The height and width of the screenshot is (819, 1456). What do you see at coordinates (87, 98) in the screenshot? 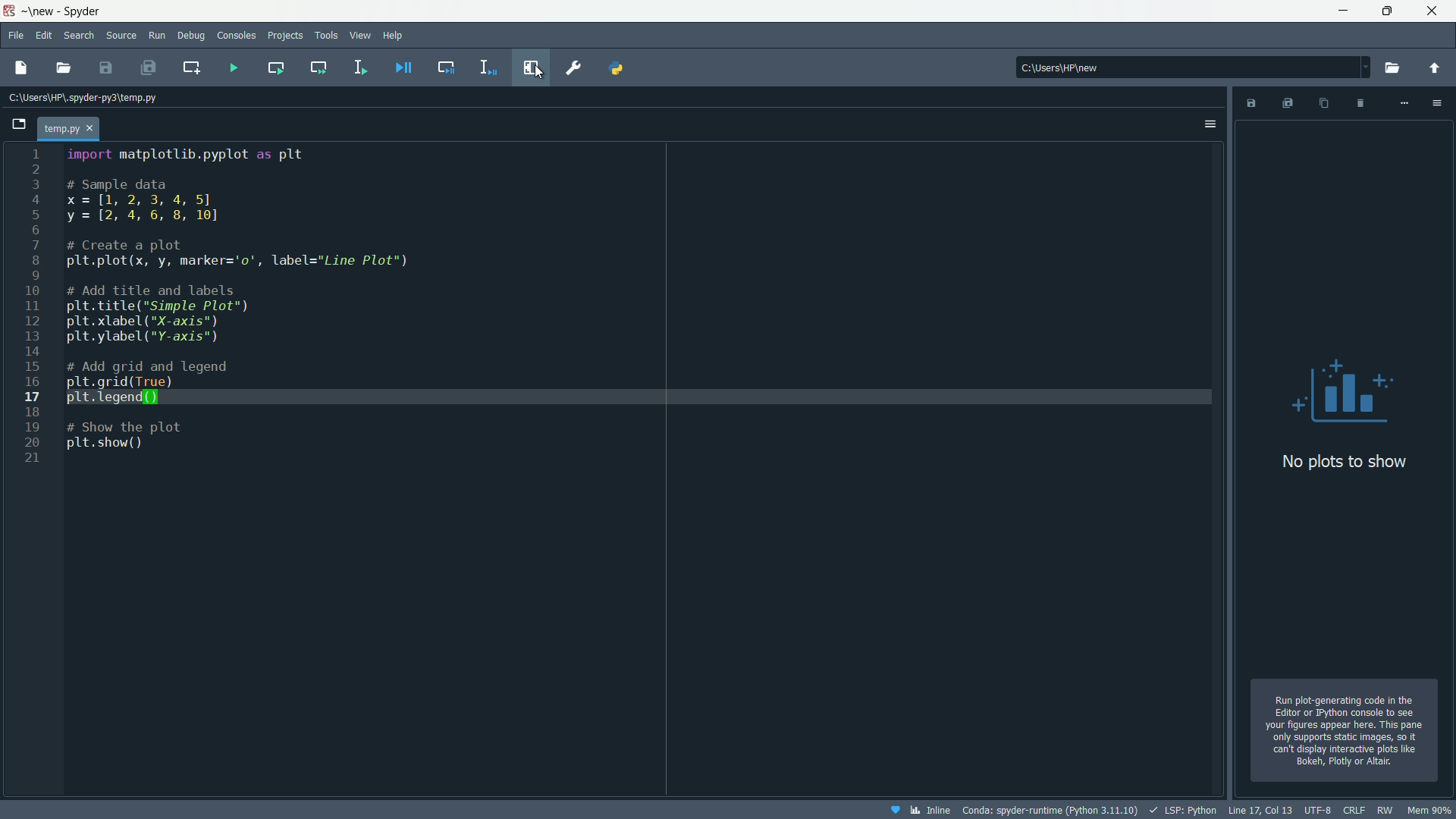
I see `file directory` at bounding box center [87, 98].